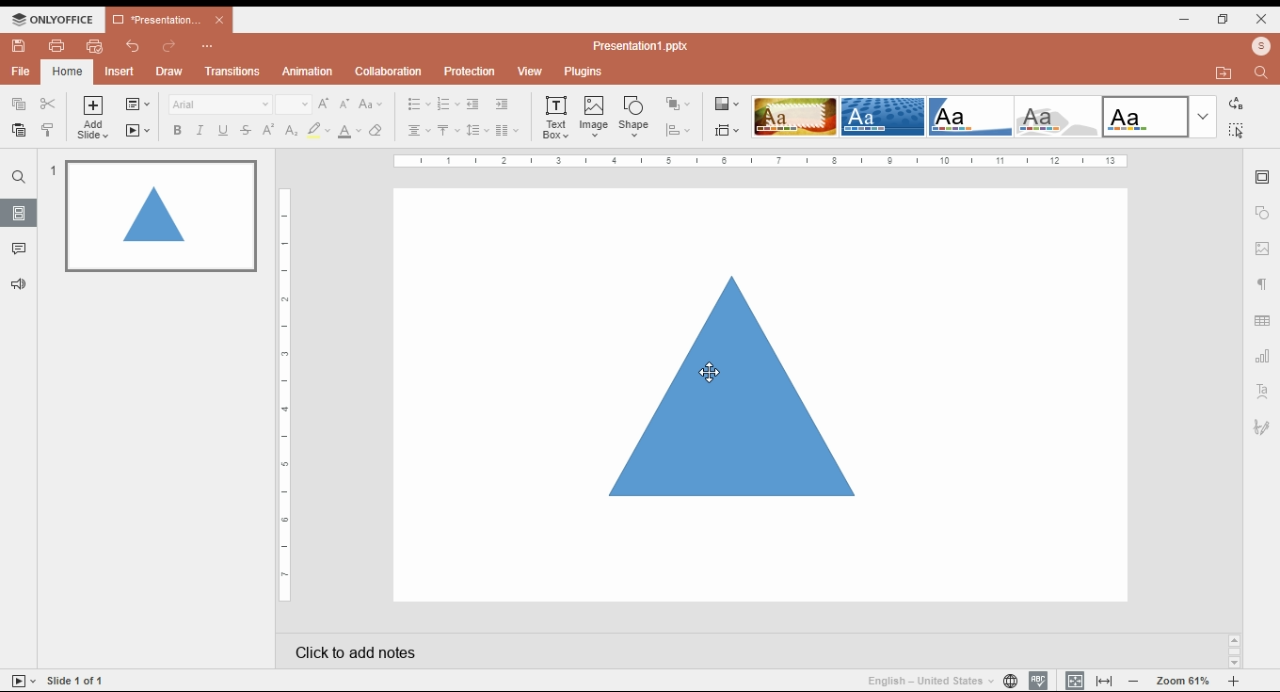 The height and width of the screenshot is (692, 1280). I want to click on collaboration, so click(389, 73).